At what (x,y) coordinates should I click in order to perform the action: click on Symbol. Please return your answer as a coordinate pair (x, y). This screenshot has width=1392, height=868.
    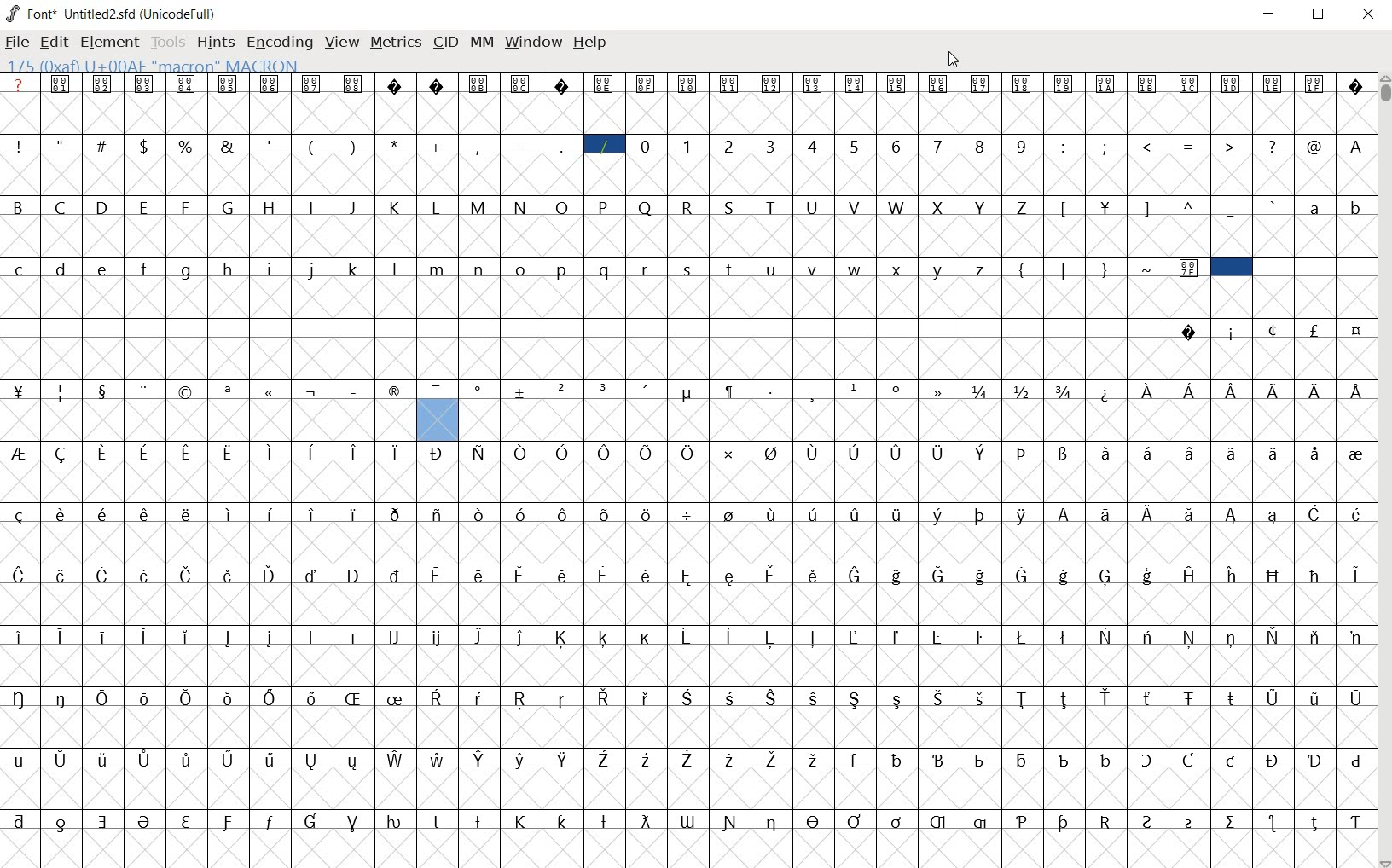
    Looking at the image, I should click on (1231, 513).